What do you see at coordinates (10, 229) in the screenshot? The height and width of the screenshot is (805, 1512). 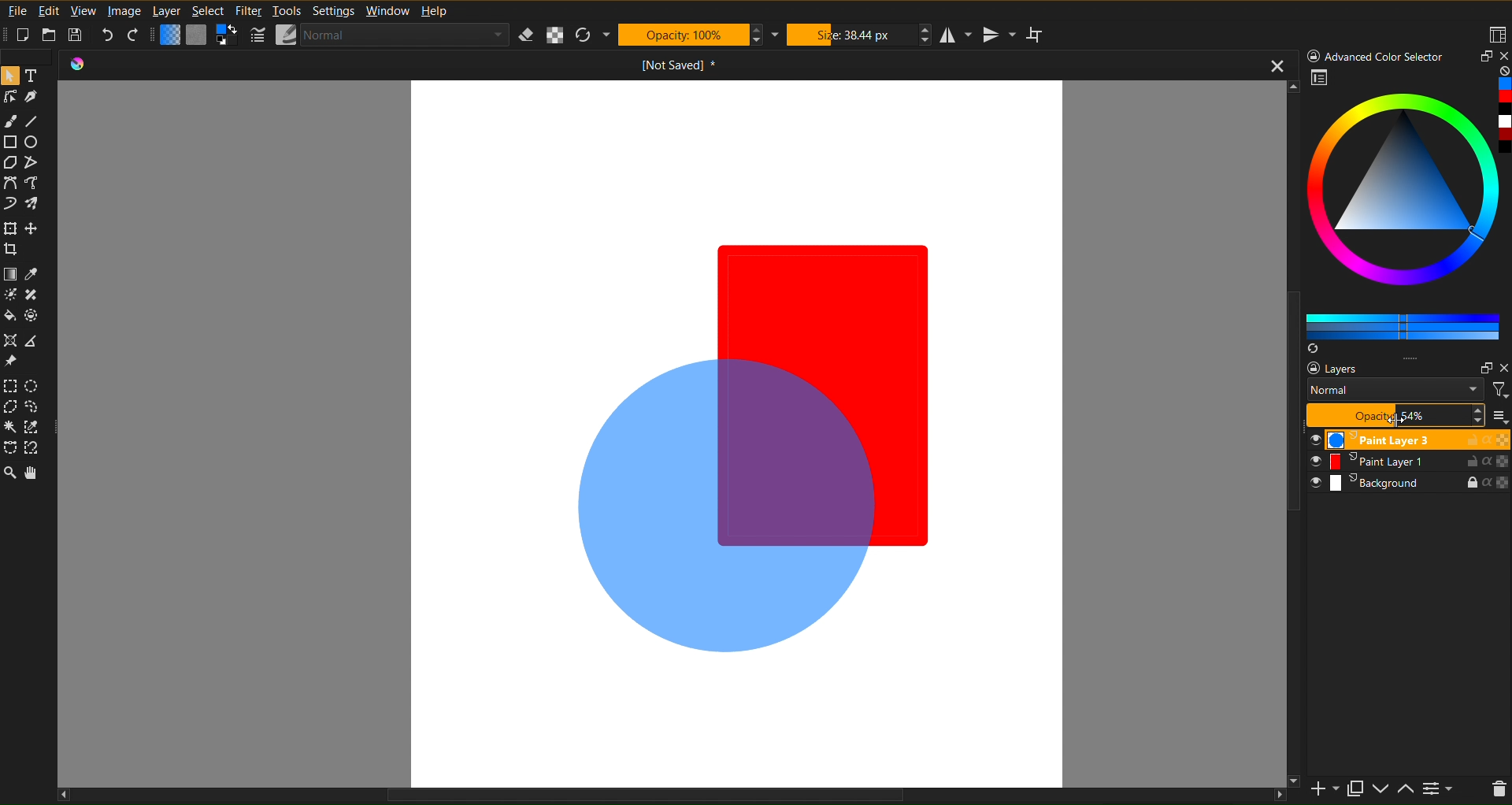 I see `Move Tools` at bounding box center [10, 229].